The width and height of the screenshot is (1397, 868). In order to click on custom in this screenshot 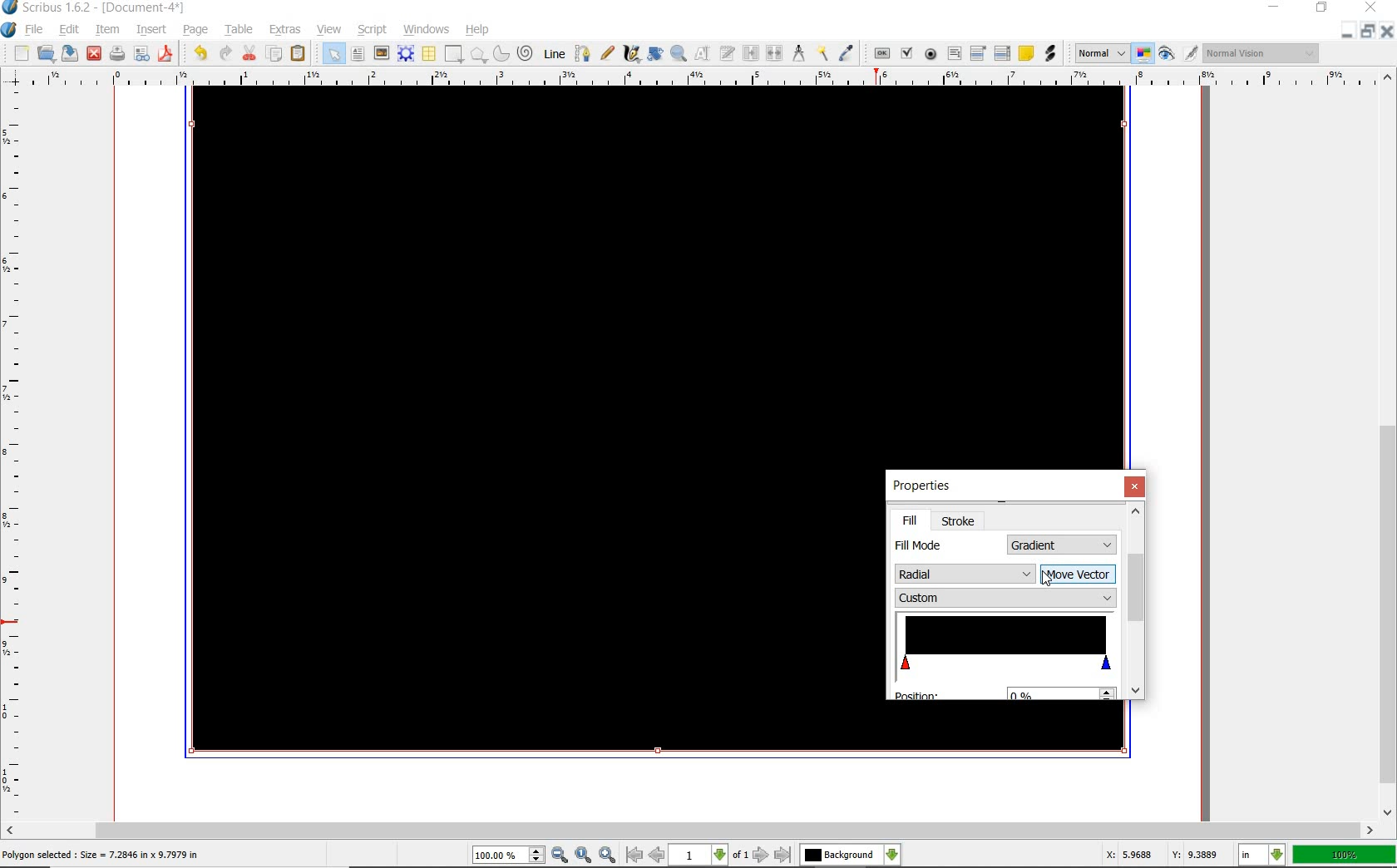, I will do `click(1006, 599)`.